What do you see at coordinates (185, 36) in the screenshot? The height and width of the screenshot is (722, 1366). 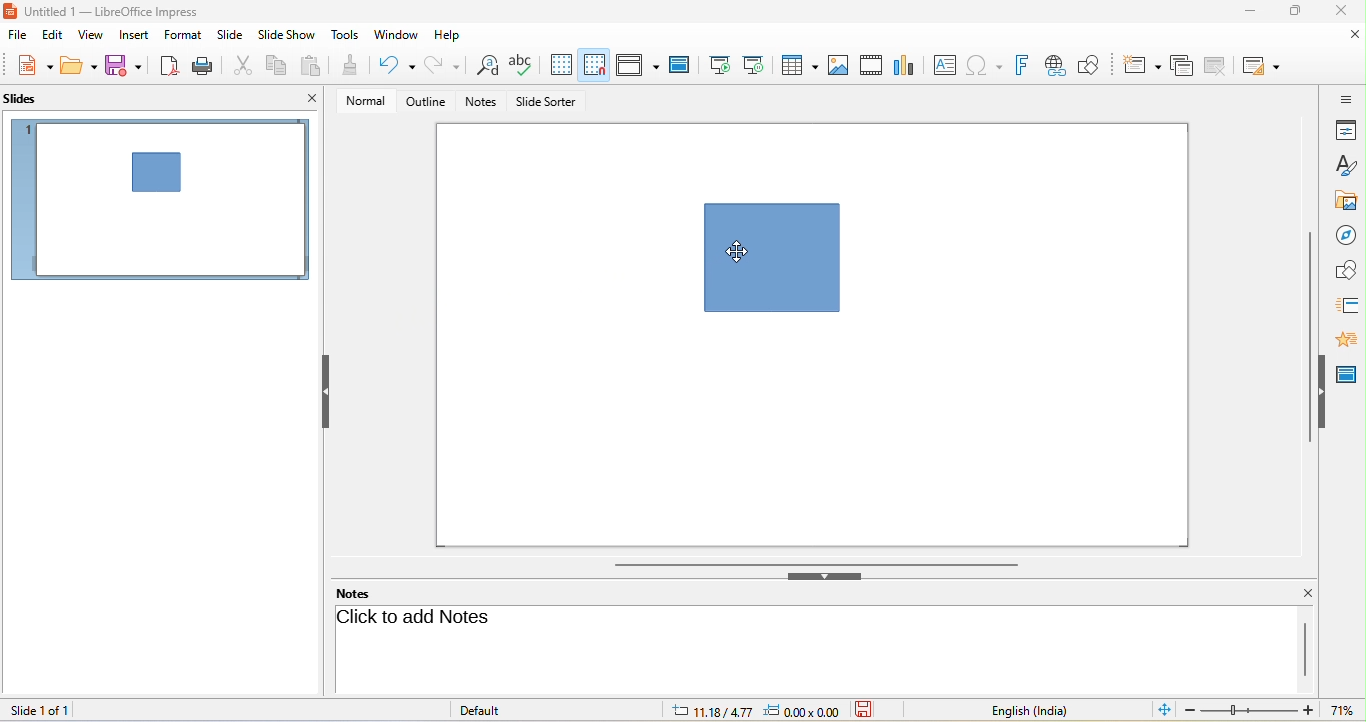 I see `format` at bounding box center [185, 36].